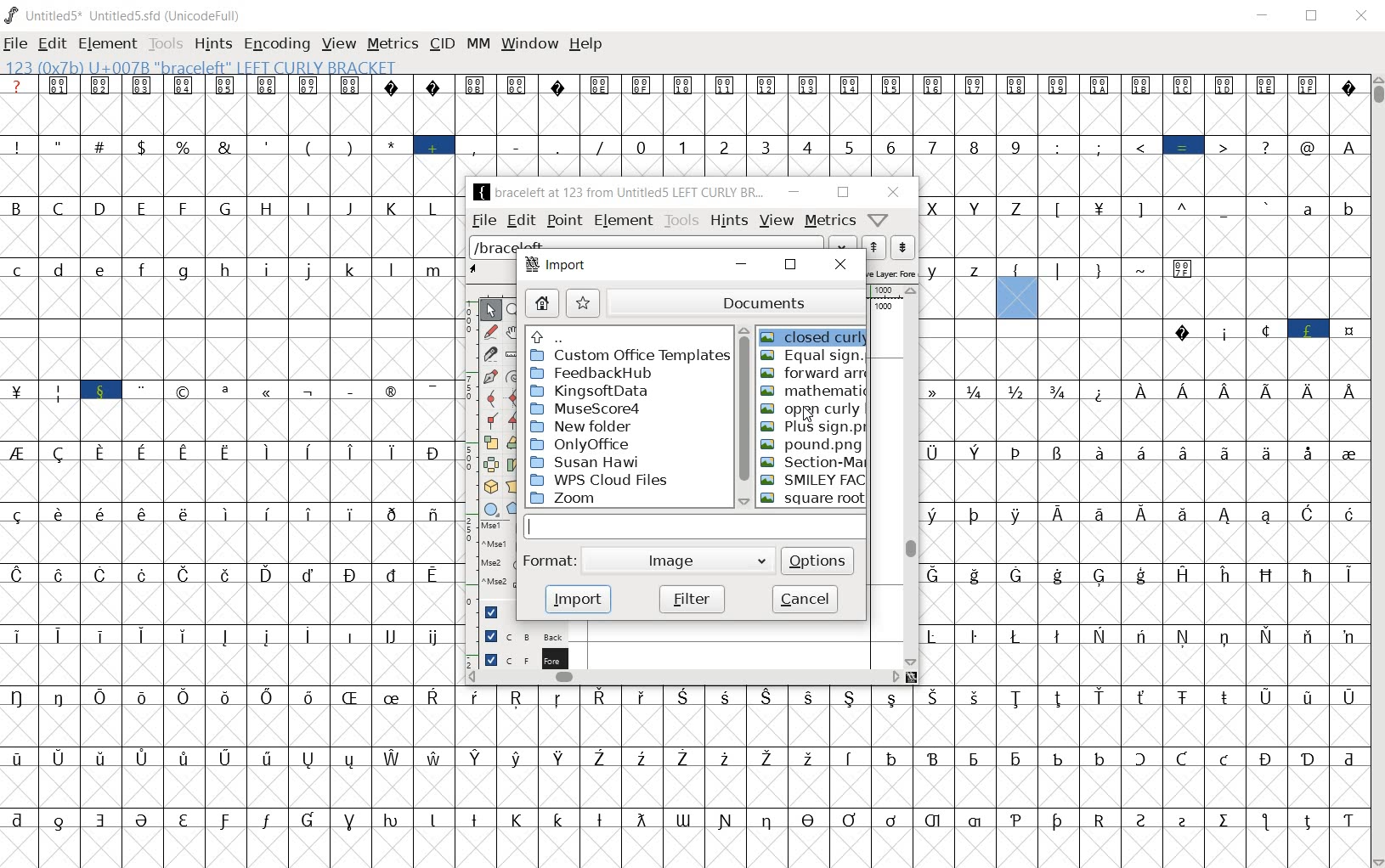 The width and height of the screenshot is (1385, 868). I want to click on scale the selection, so click(491, 443).